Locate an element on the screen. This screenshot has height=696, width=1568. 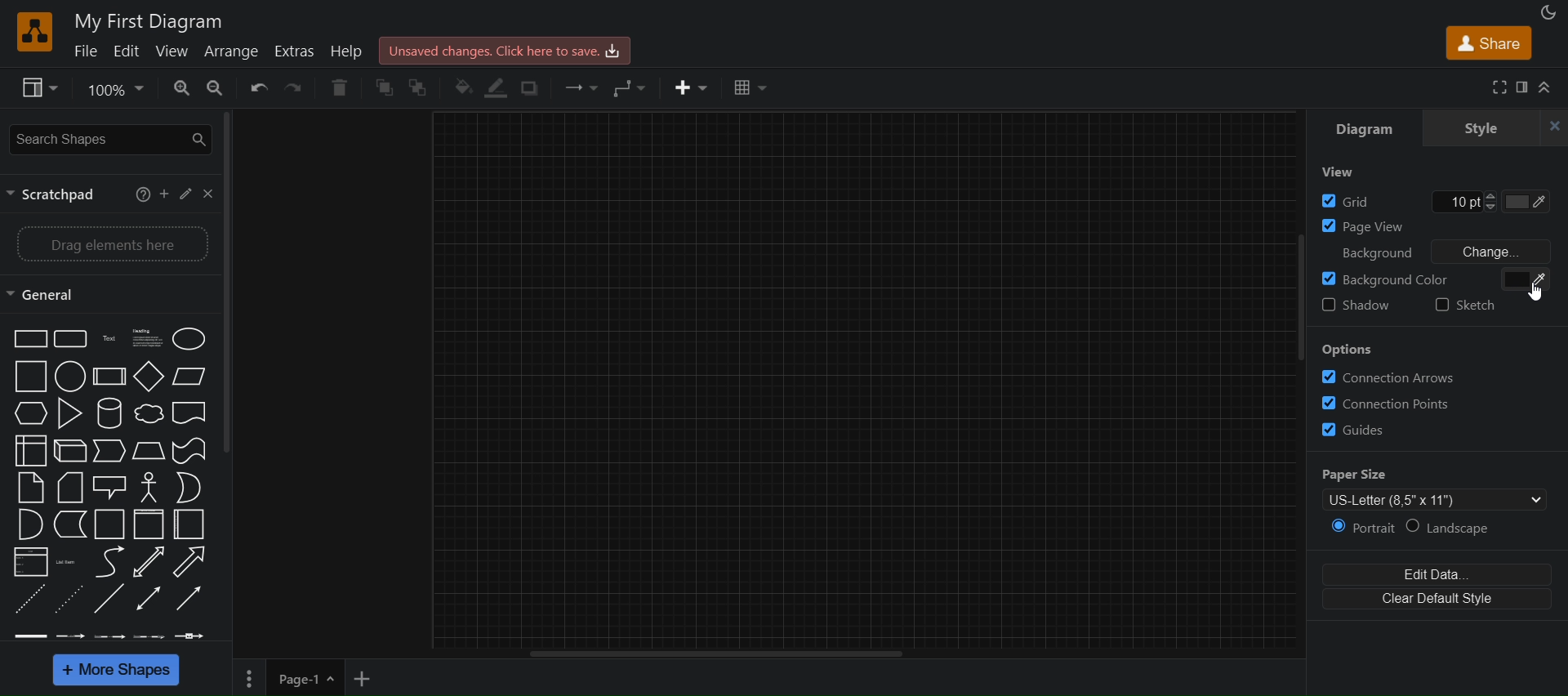
close is located at coordinates (208, 194).